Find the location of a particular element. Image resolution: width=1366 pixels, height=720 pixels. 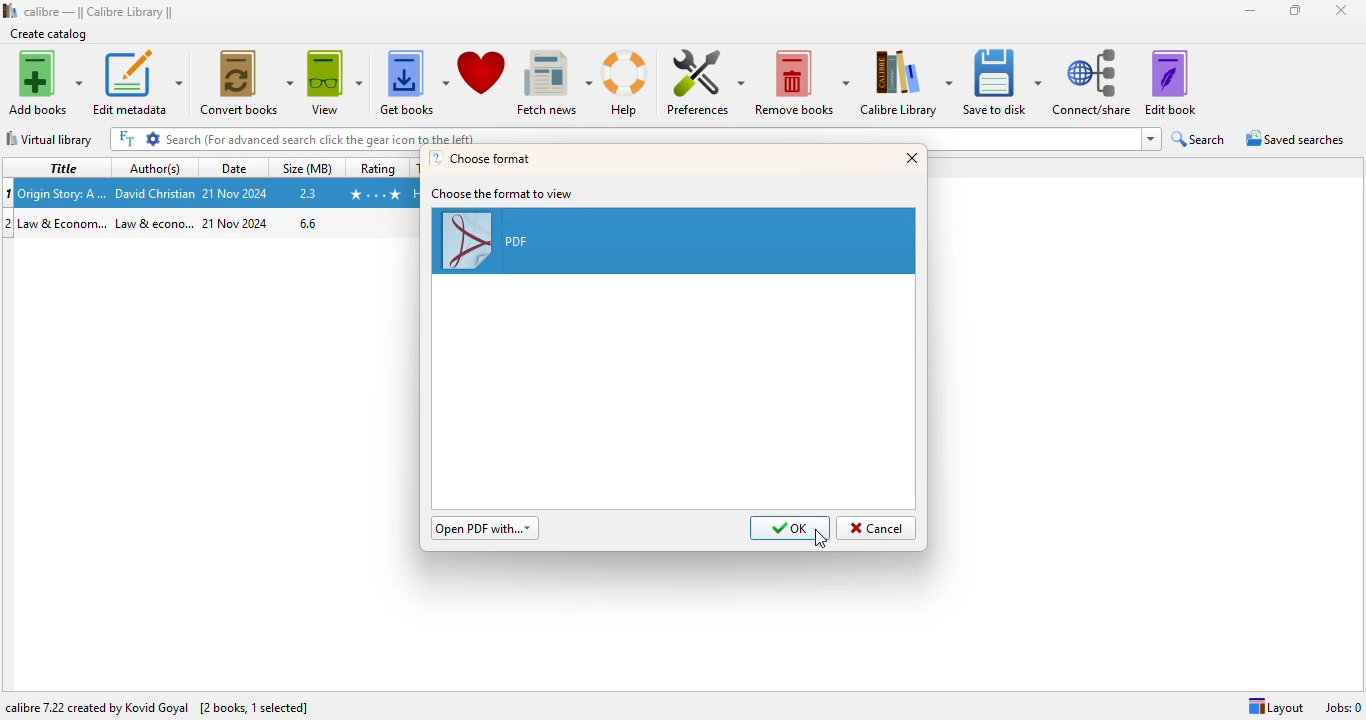

Open PDF with is located at coordinates (485, 528).